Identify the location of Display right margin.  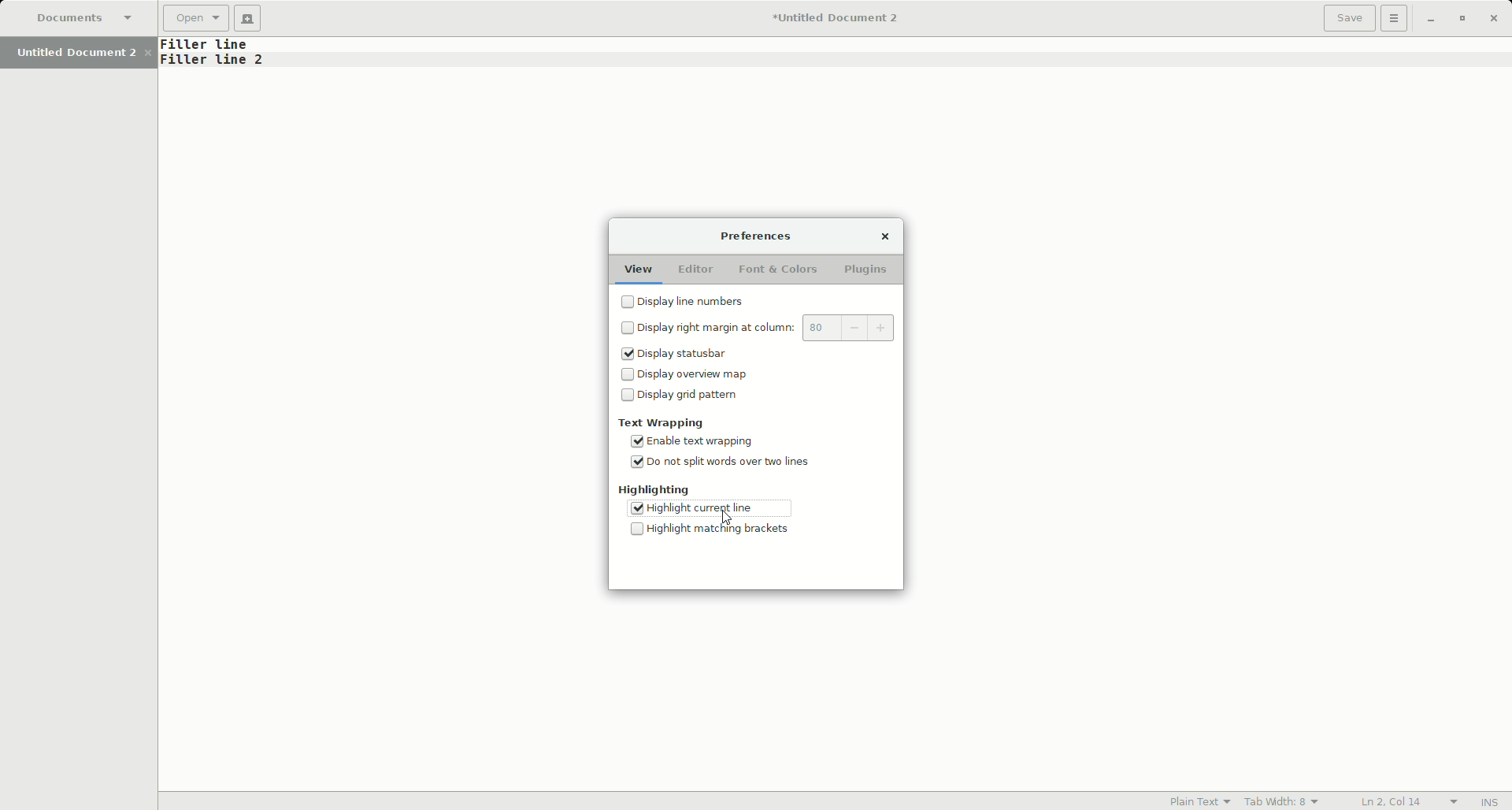
(762, 329).